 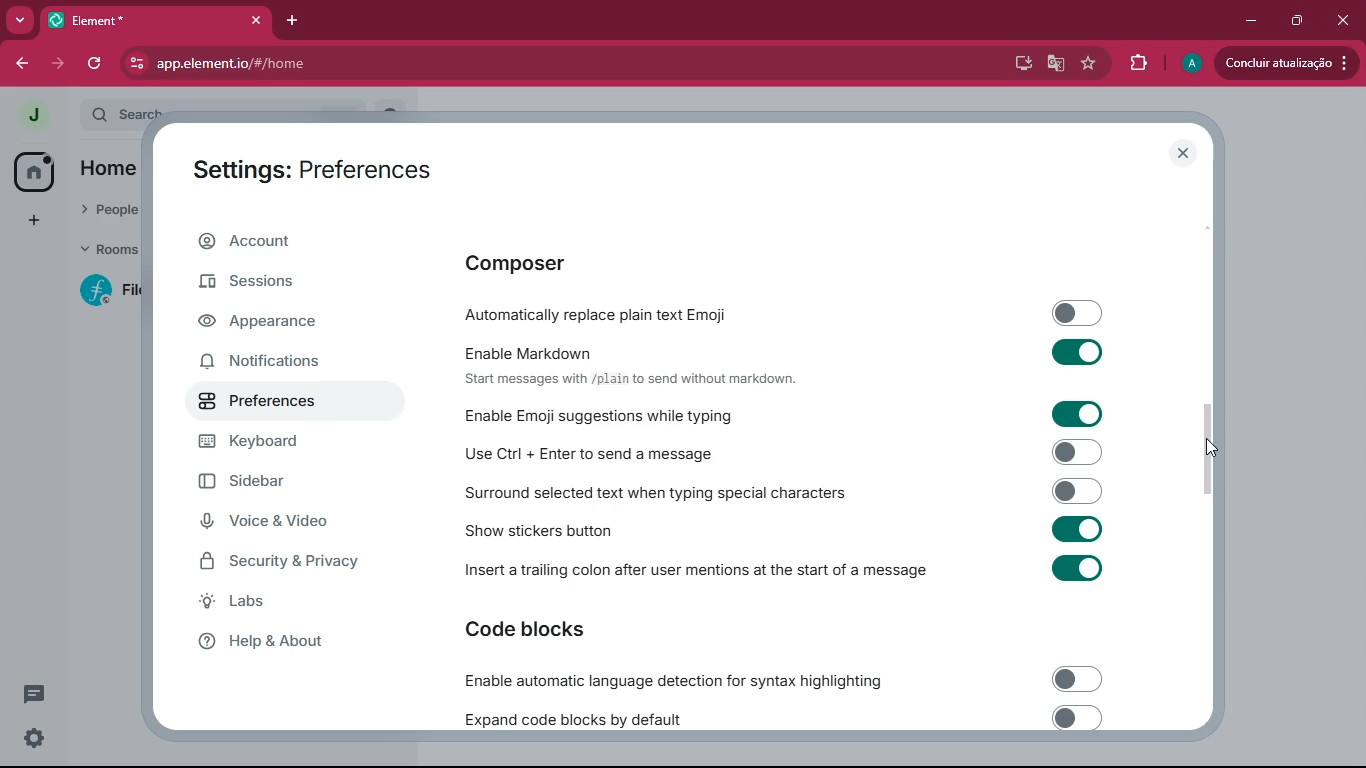 What do you see at coordinates (1137, 64) in the screenshot?
I see `extensions` at bounding box center [1137, 64].